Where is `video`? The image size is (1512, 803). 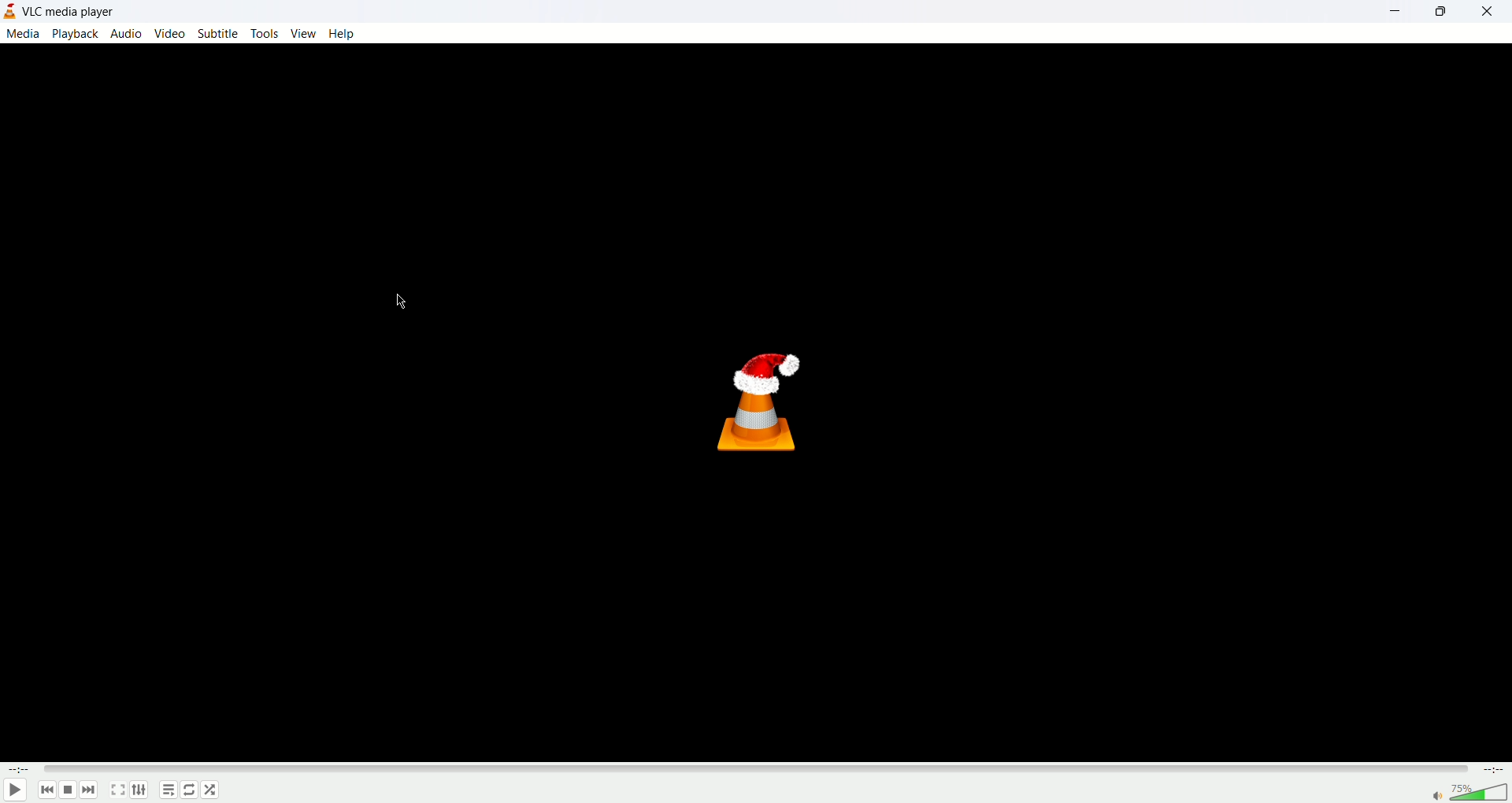
video is located at coordinates (169, 34).